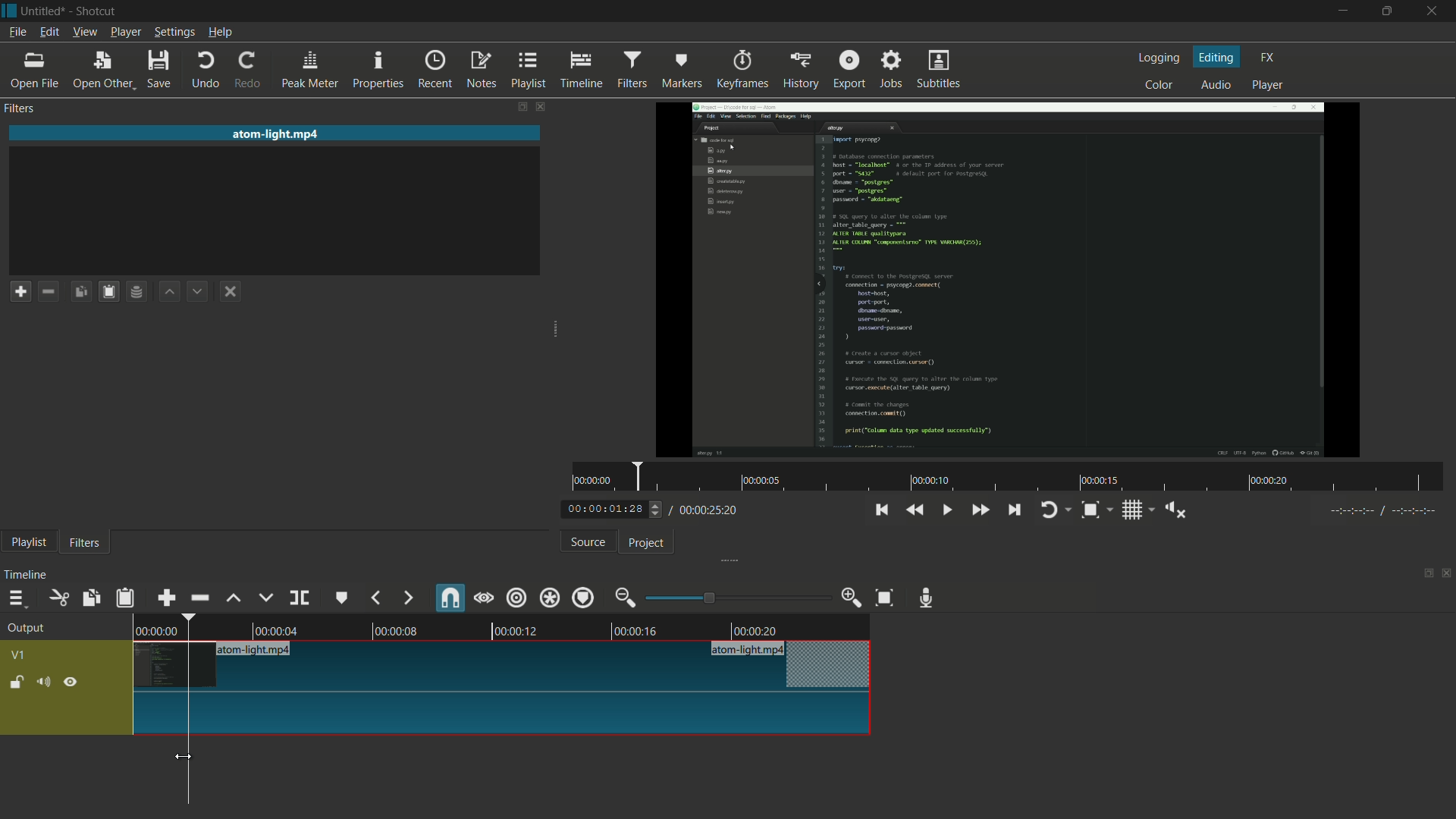 This screenshot has height=819, width=1456. Describe the element at coordinates (206, 71) in the screenshot. I see `undo` at that location.